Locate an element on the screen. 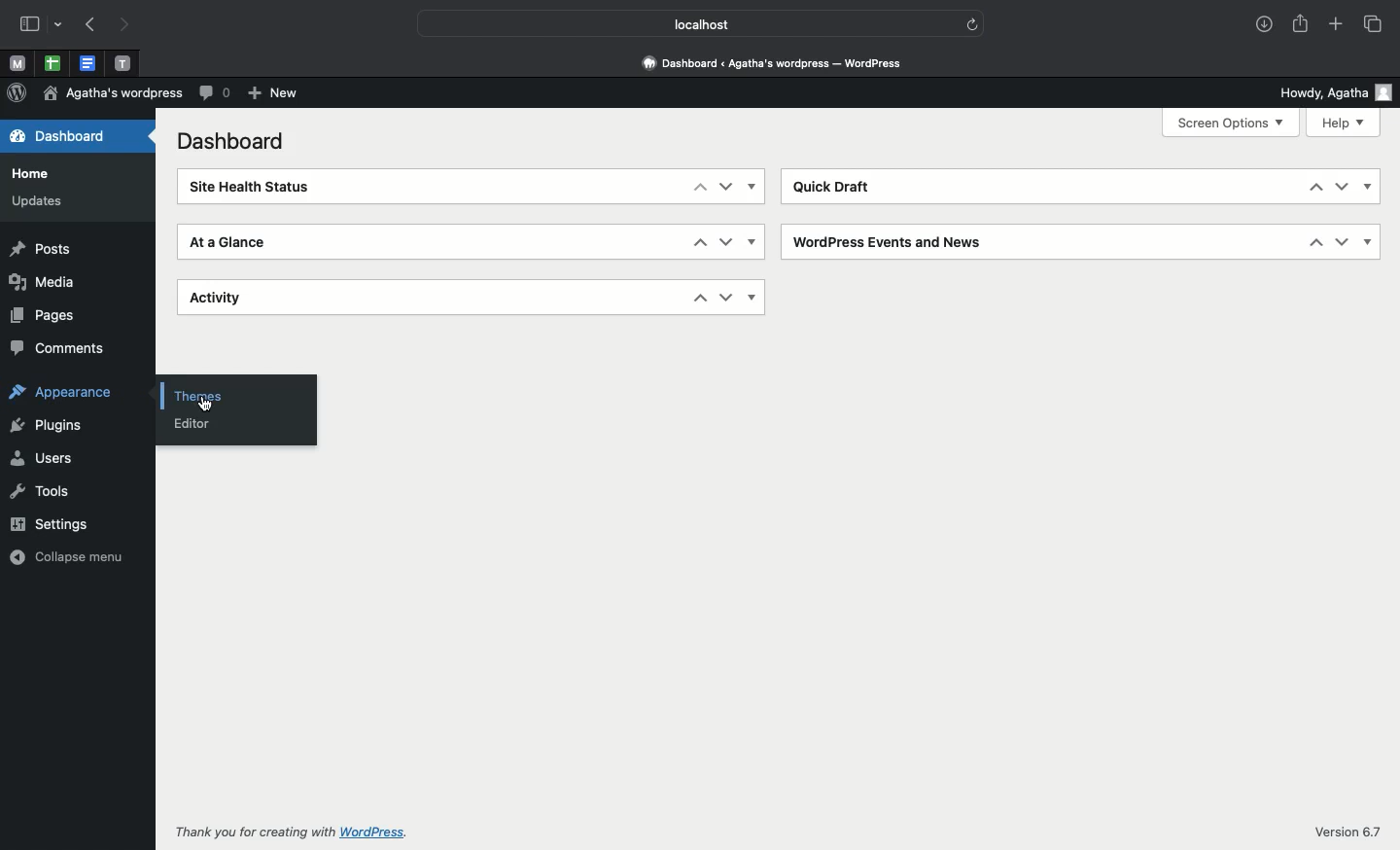  Down is located at coordinates (725, 187).